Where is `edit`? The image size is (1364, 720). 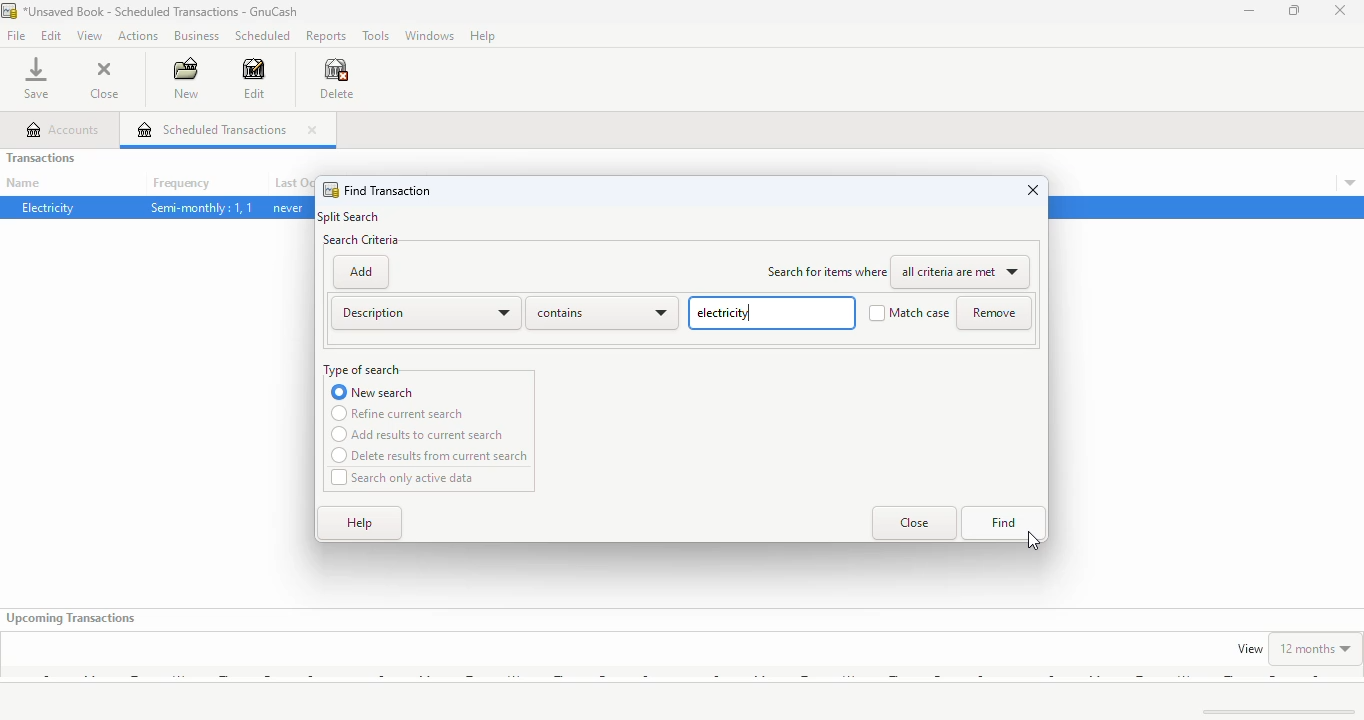
edit is located at coordinates (254, 78).